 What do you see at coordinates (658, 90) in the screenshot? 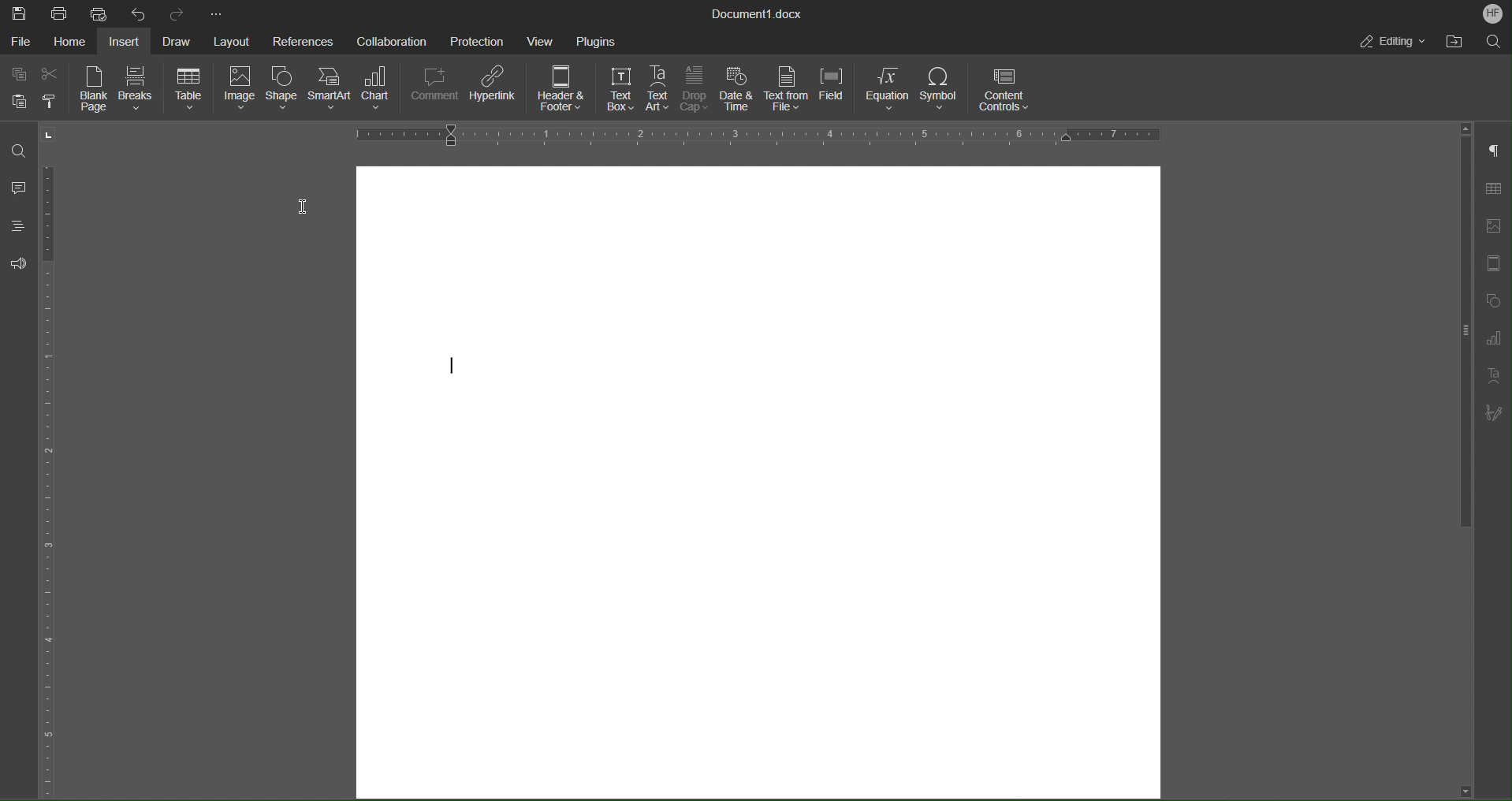
I see `Text Art` at bounding box center [658, 90].